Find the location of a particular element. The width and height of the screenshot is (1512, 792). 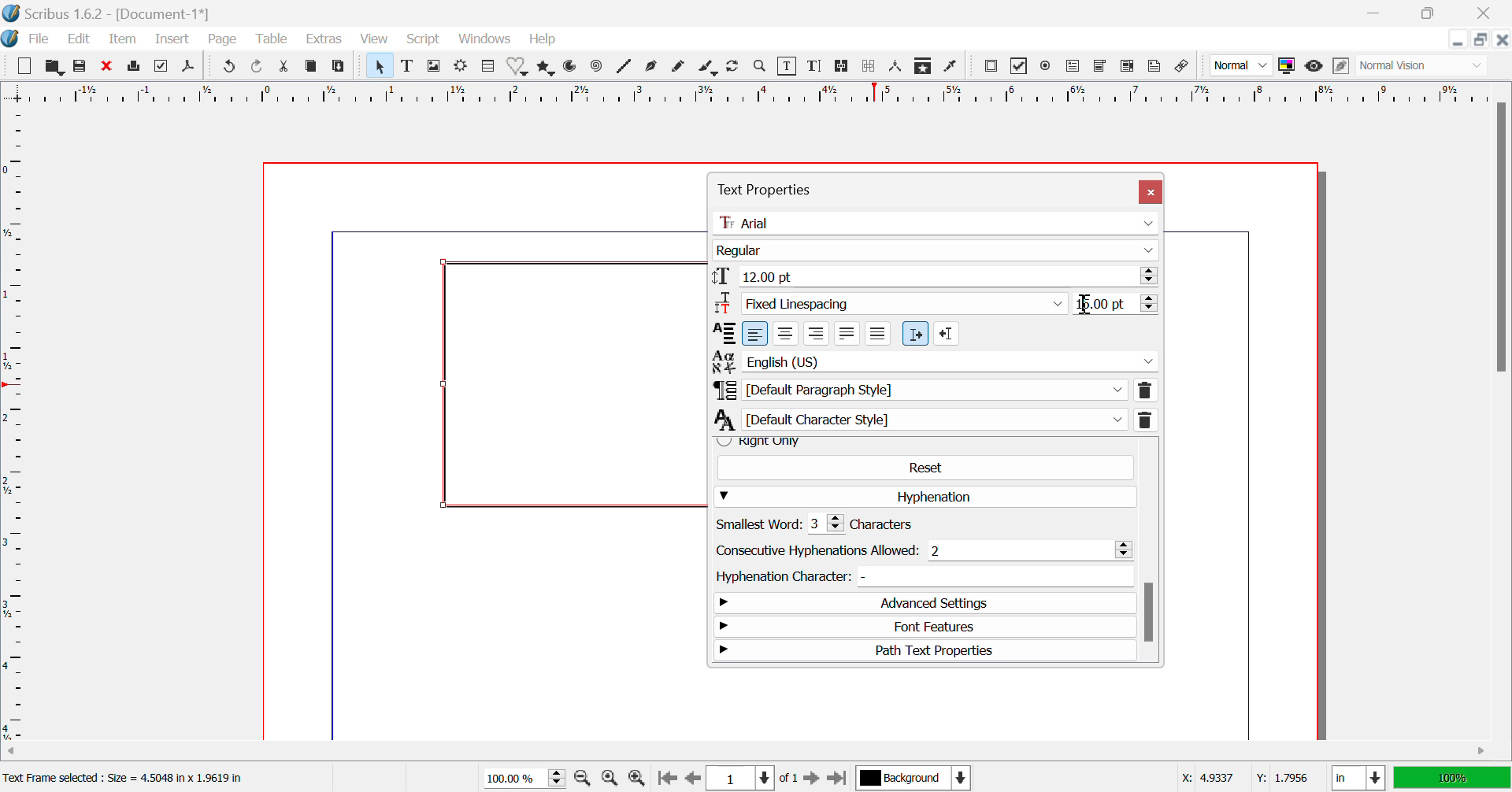

Minimize is located at coordinates (1482, 40).